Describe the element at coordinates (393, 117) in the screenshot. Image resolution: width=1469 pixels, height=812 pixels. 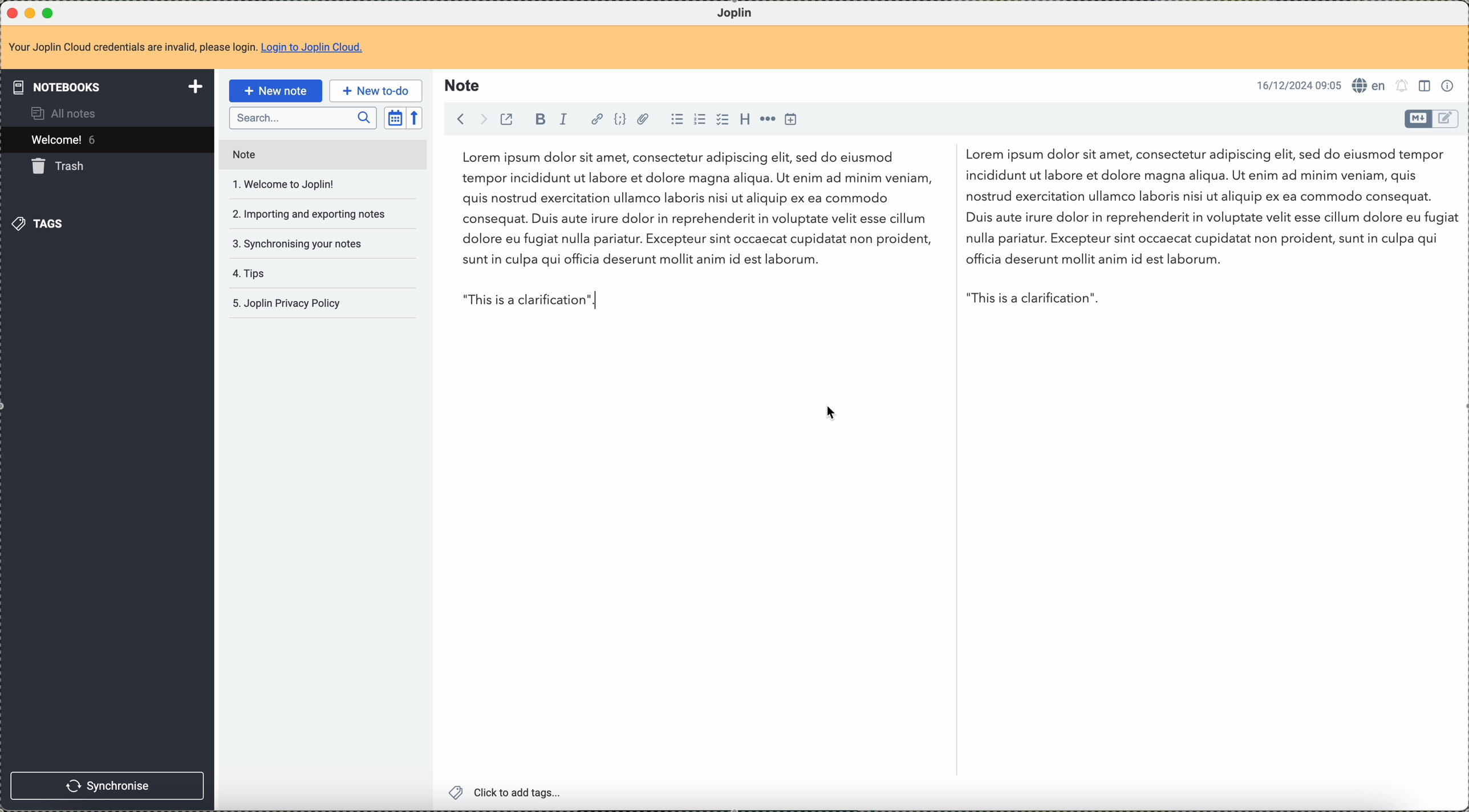
I see `toggle sort order field` at that location.